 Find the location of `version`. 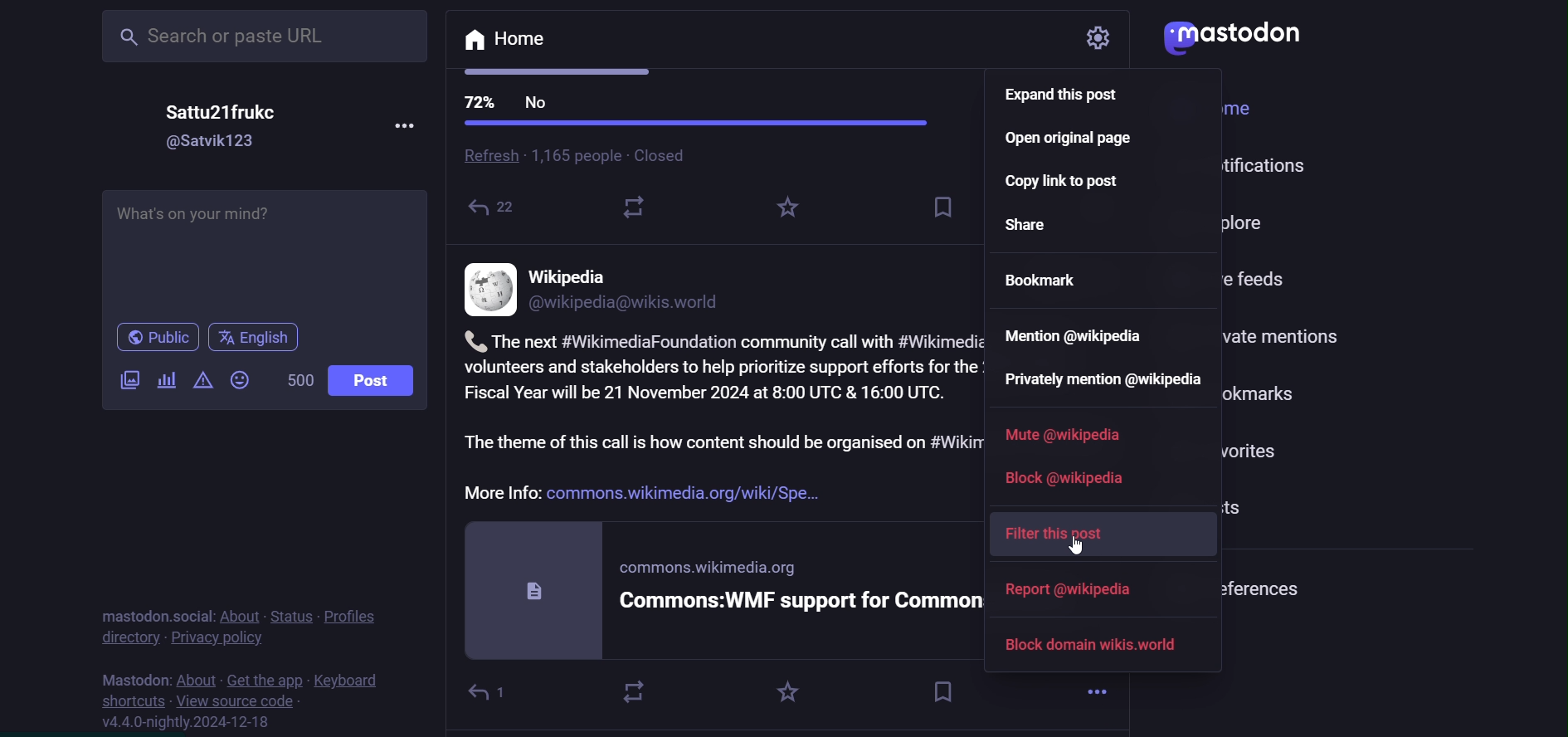

version is located at coordinates (195, 725).